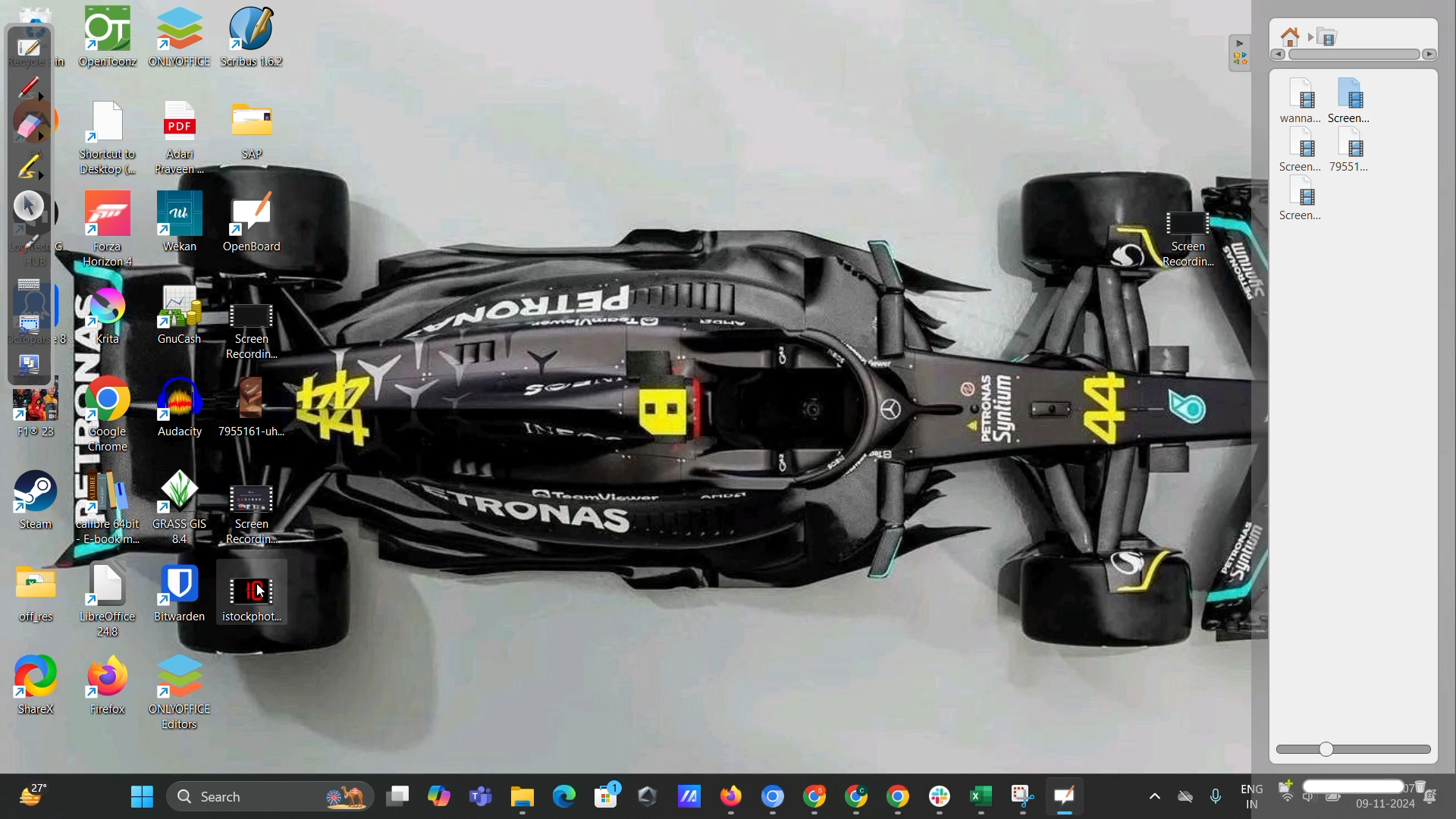 Image resolution: width=1456 pixels, height=819 pixels. Describe the element at coordinates (111, 141) in the screenshot. I see `Shortcut to Desktop` at that location.